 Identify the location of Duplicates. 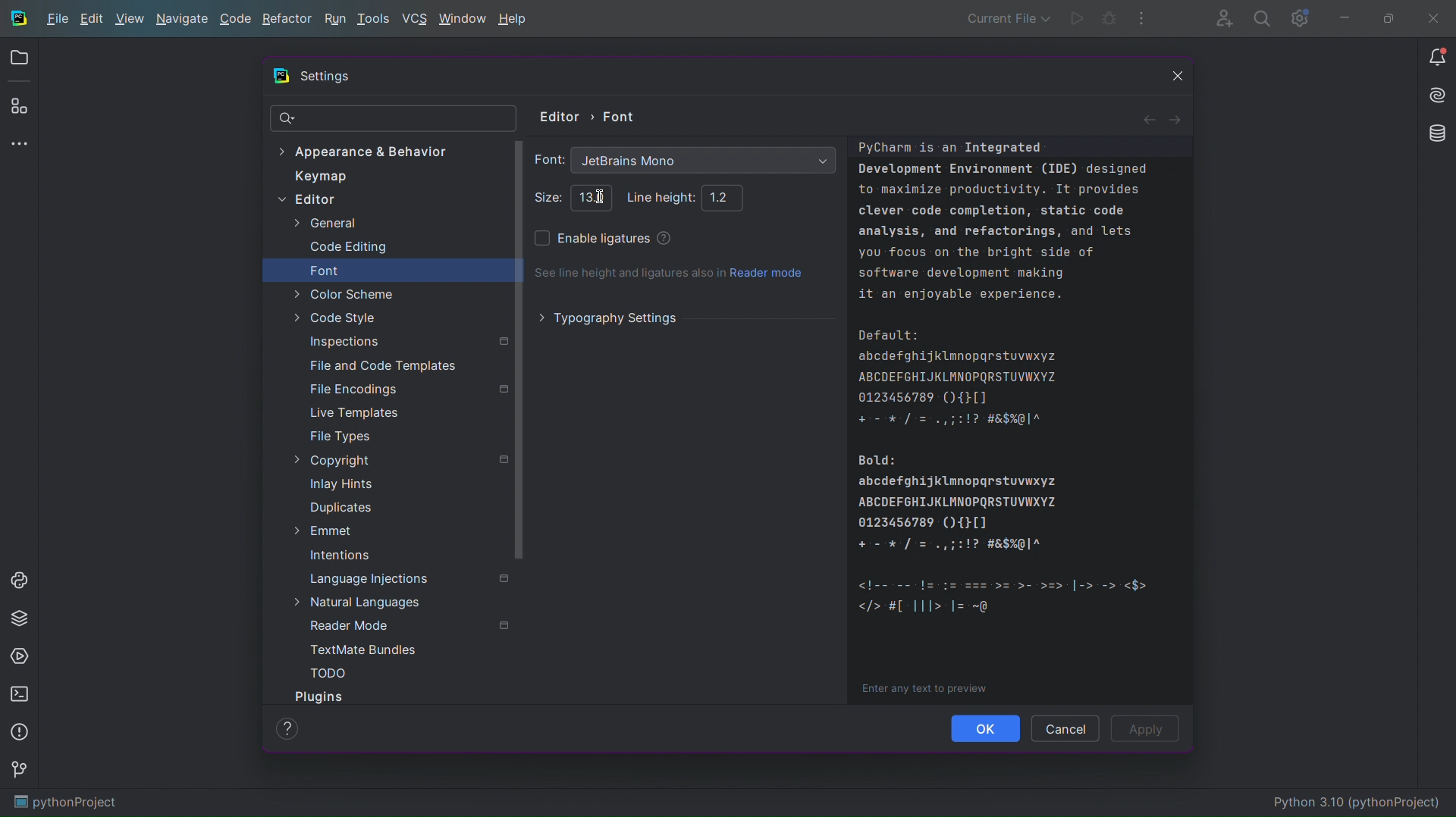
(338, 508).